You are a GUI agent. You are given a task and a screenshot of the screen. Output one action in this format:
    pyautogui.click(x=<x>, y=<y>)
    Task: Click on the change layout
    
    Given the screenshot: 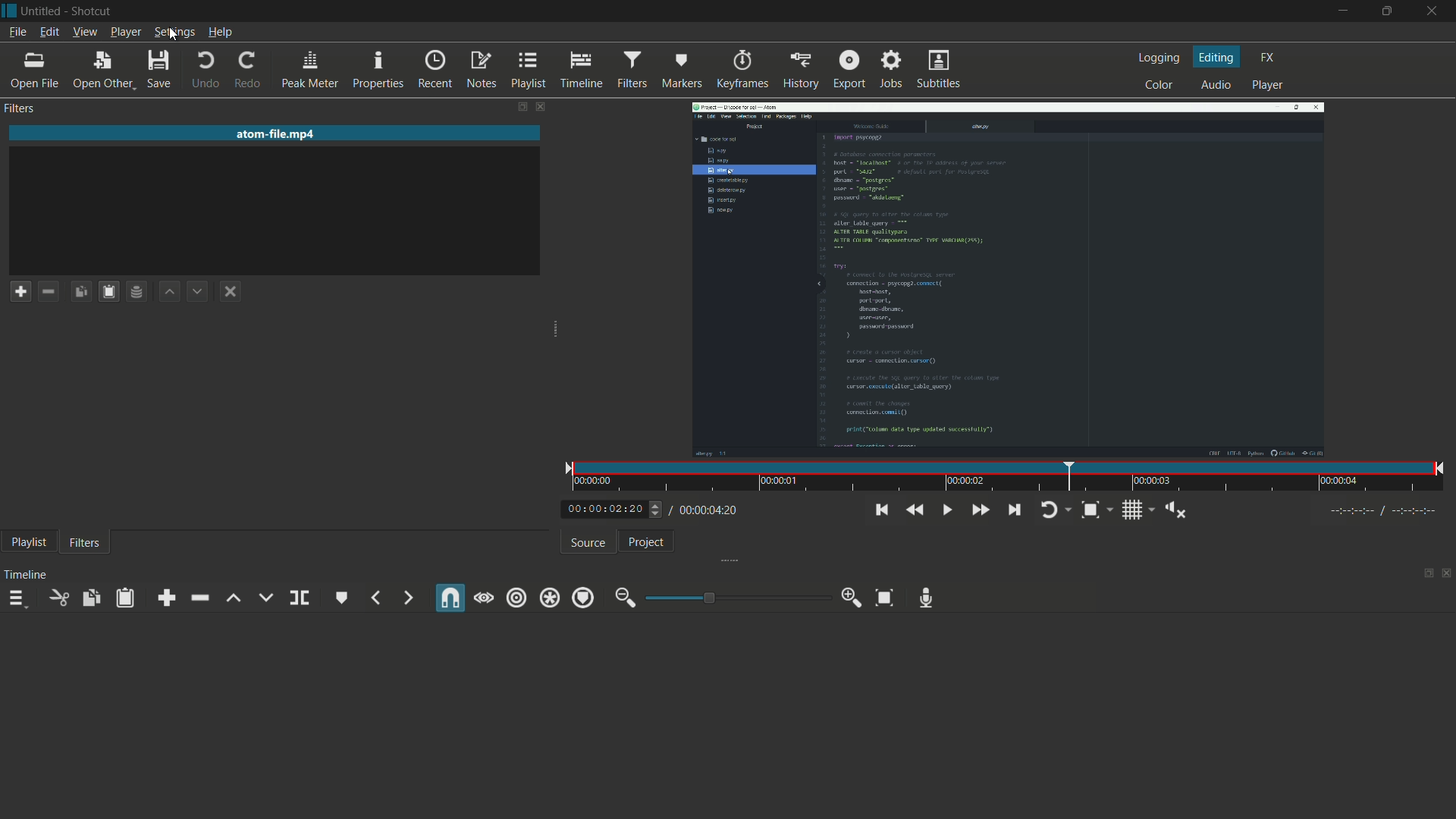 What is the action you would take?
    pyautogui.click(x=519, y=108)
    